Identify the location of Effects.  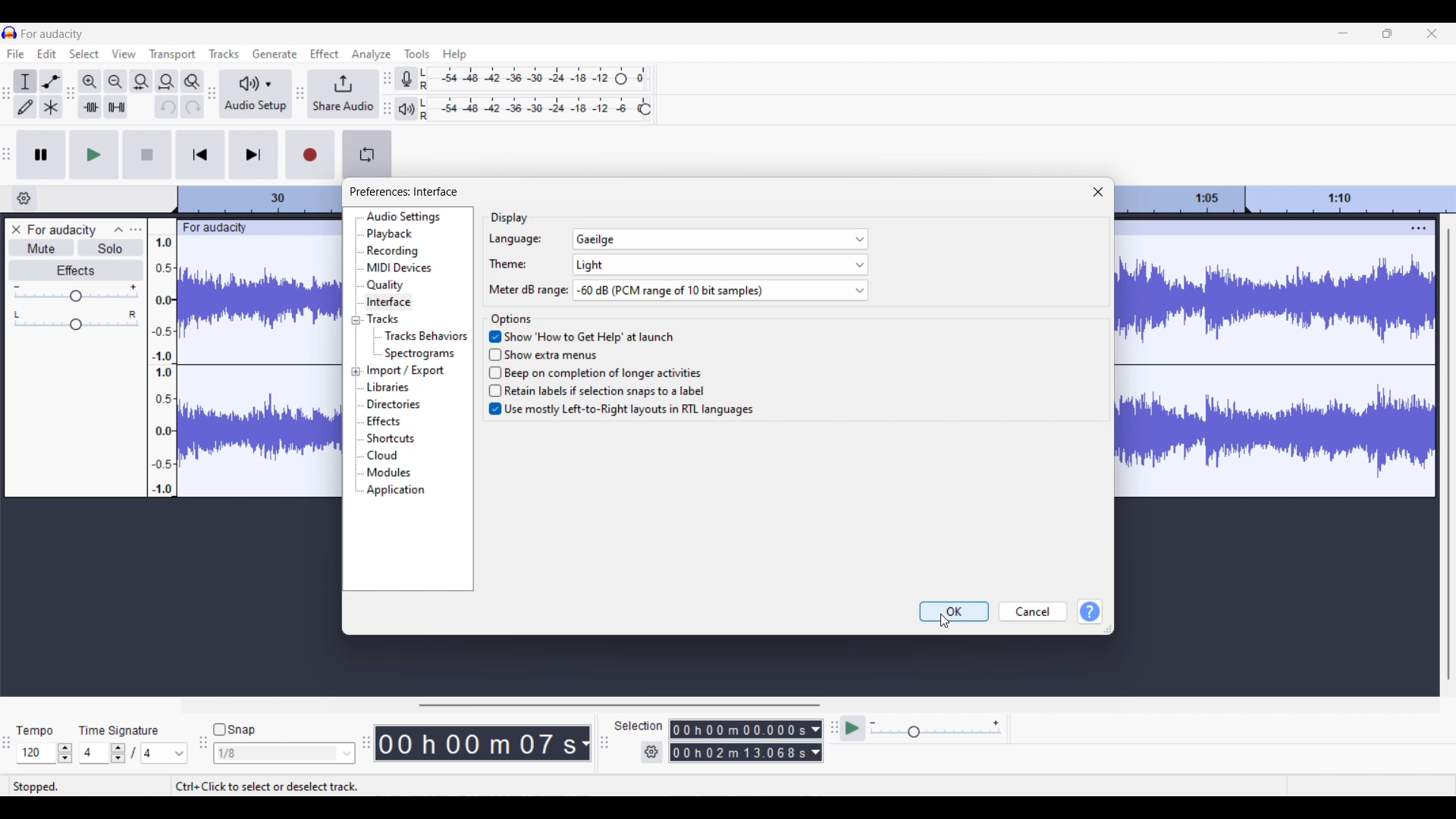
(383, 421).